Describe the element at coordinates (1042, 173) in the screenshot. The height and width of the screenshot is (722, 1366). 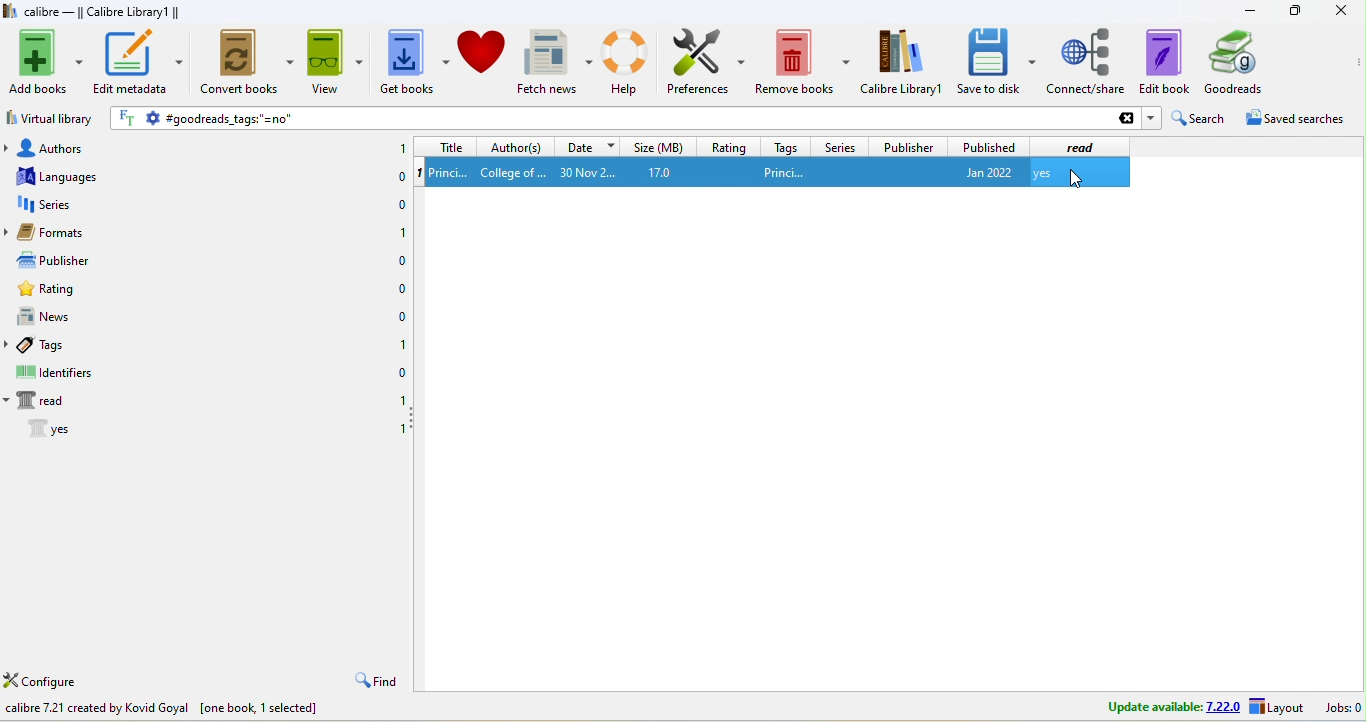
I see `yes` at that location.